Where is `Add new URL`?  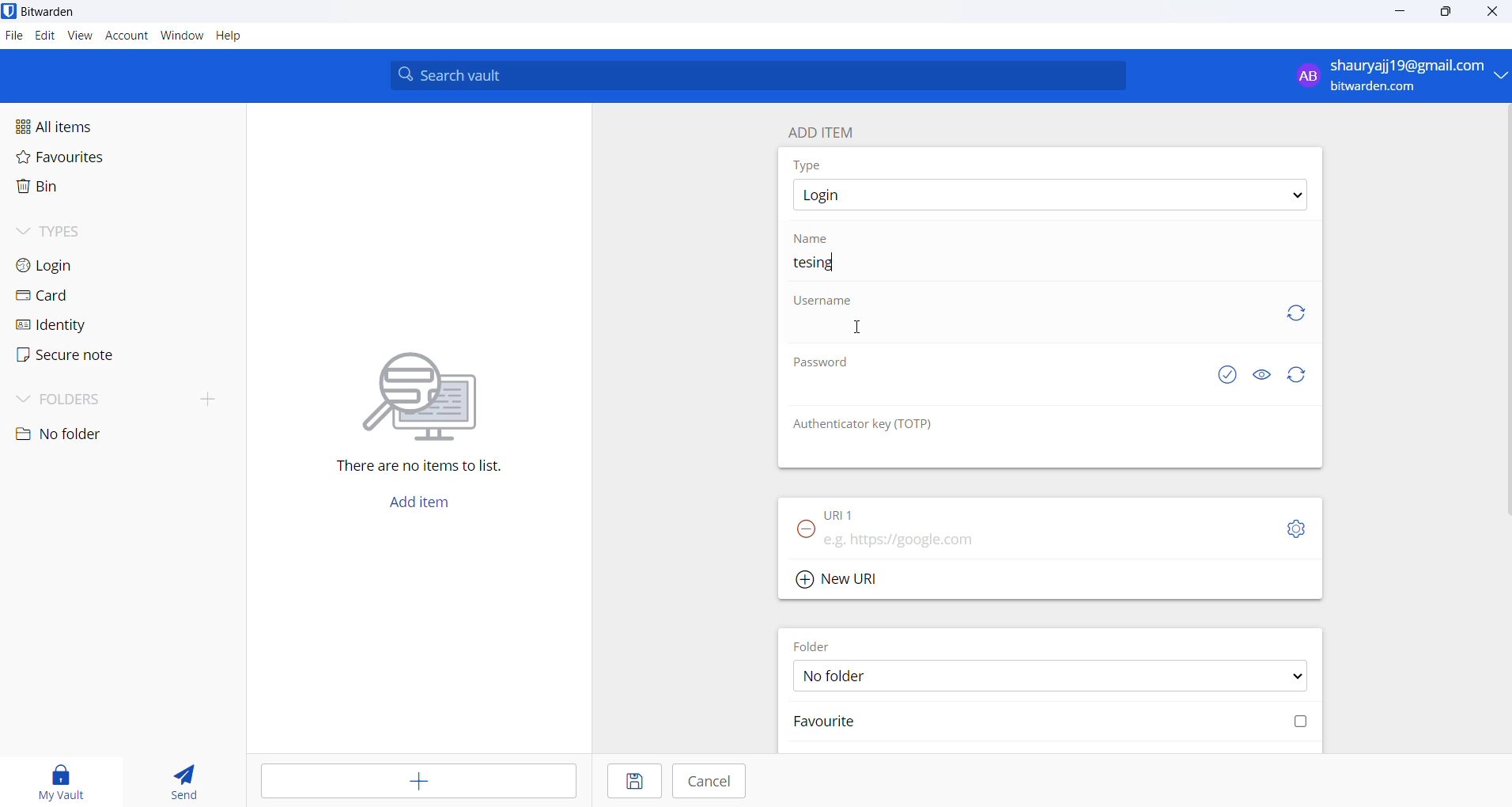 Add new URL is located at coordinates (840, 577).